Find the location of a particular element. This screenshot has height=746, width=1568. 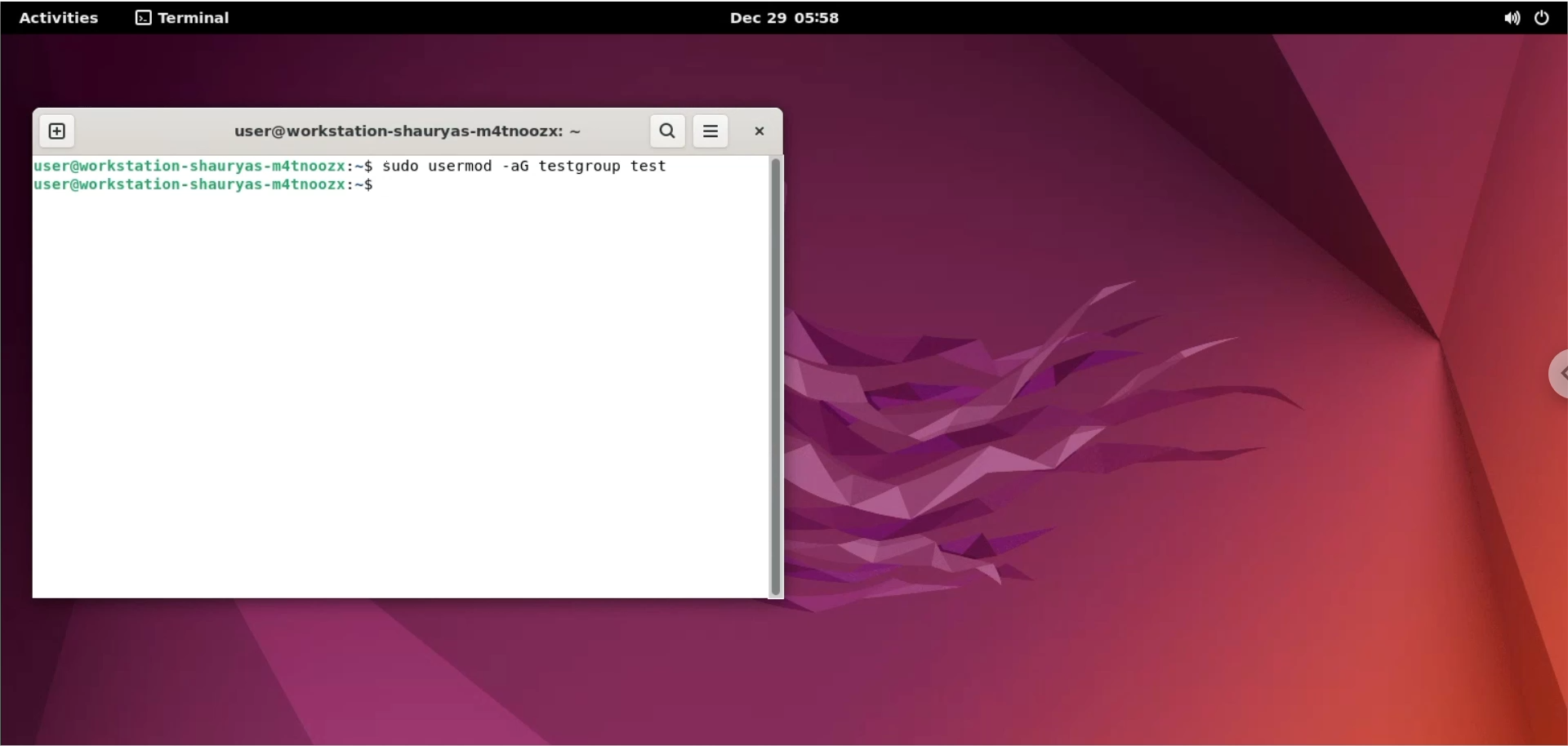

new tab is located at coordinates (56, 131).